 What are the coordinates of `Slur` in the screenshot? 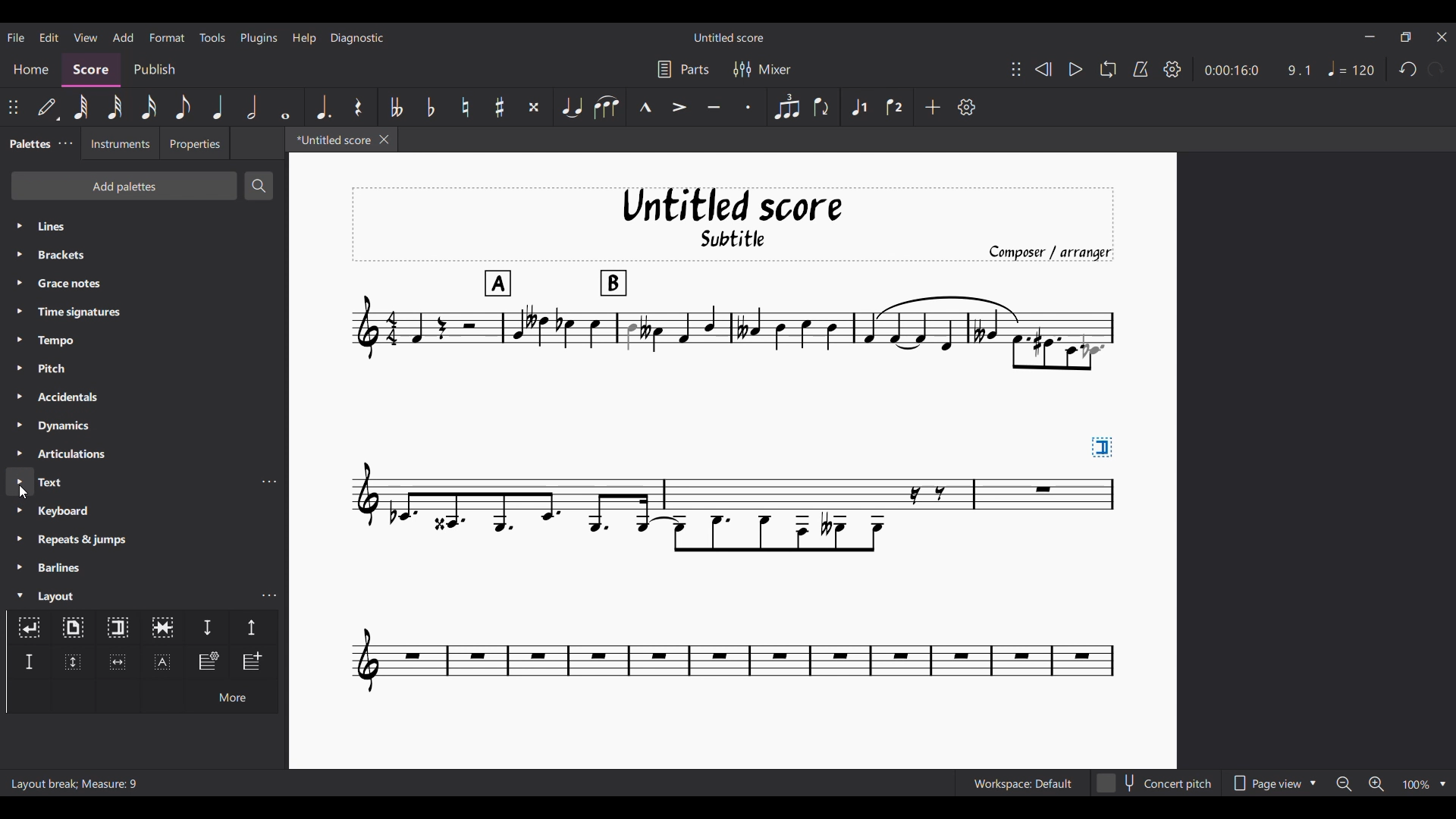 It's located at (607, 107).